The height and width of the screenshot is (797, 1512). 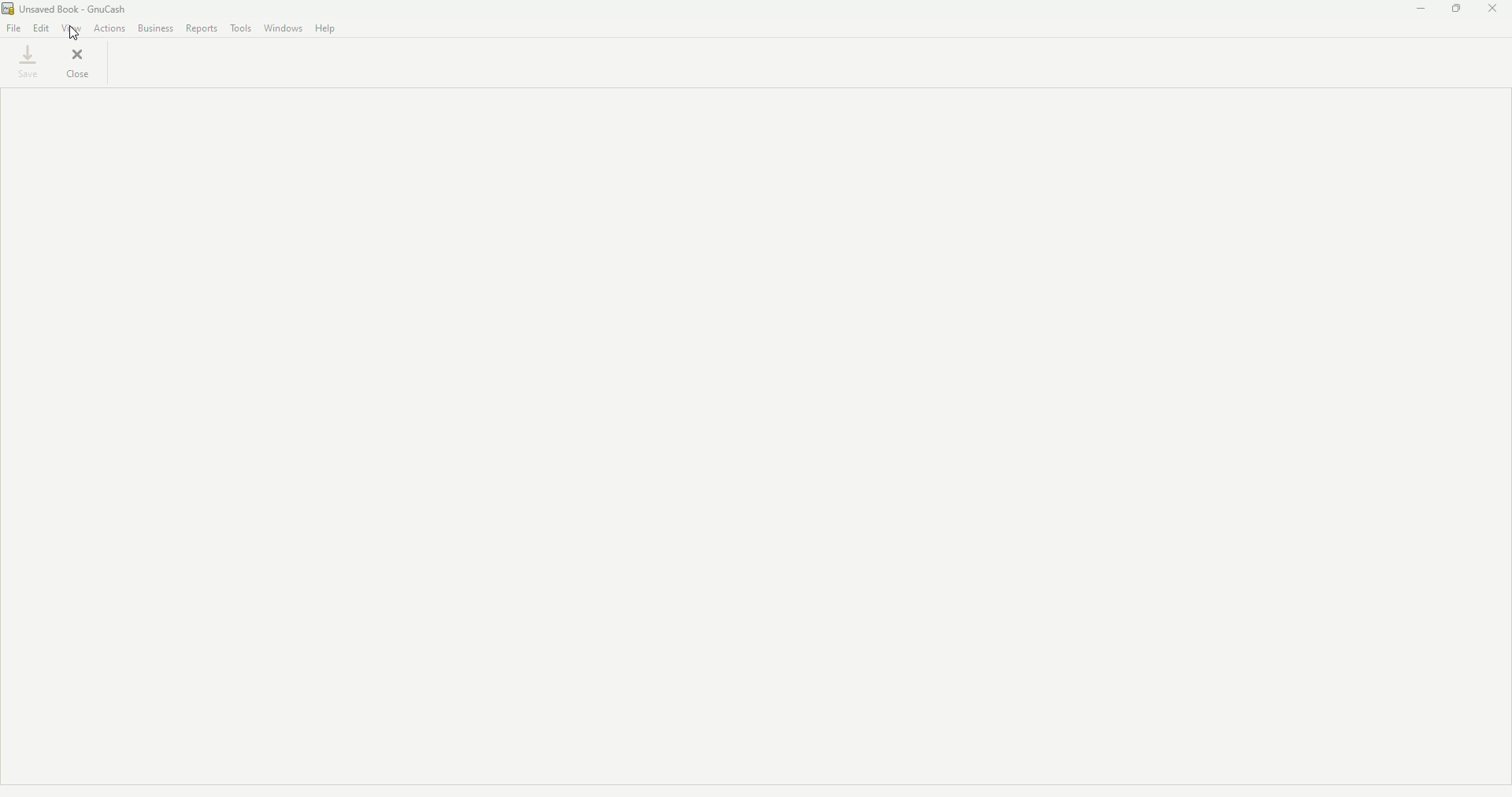 What do you see at coordinates (283, 28) in the screenshot?
I see `Windows` at bounding box center [283, 28].